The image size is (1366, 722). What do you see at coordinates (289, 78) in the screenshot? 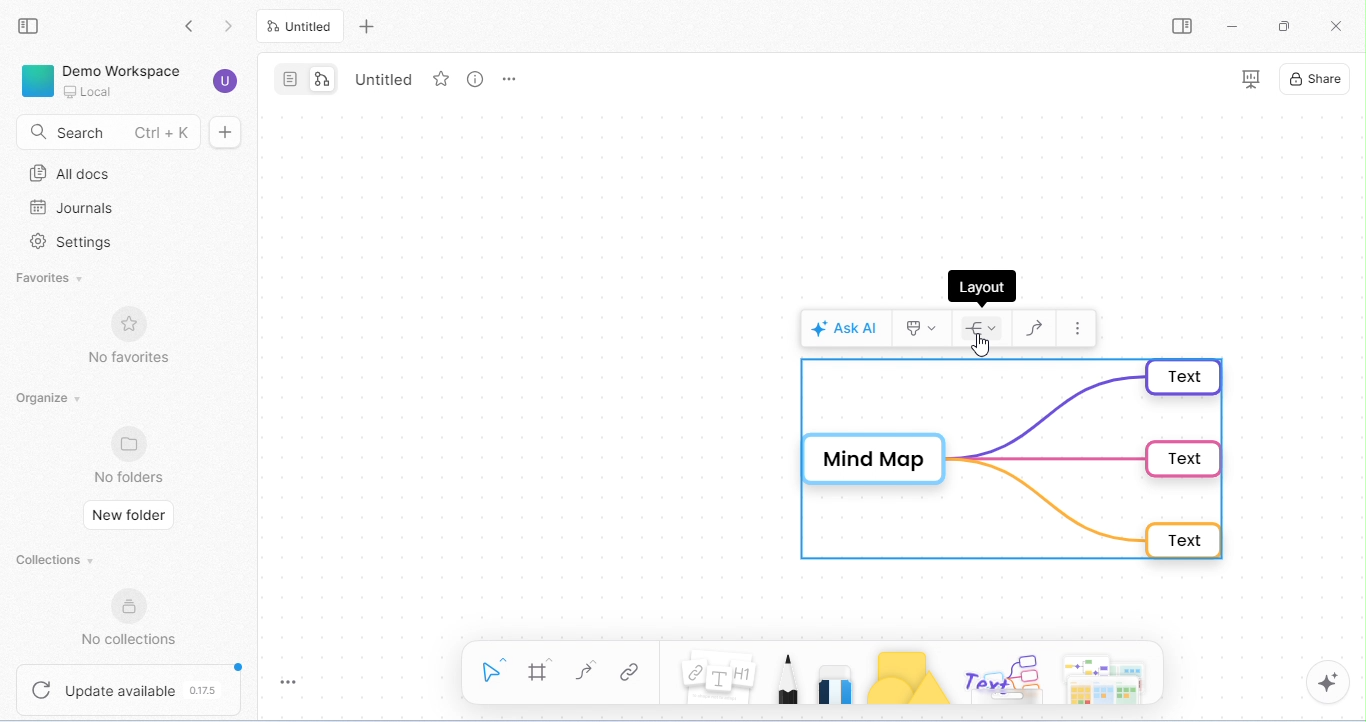
I see `page mode` at bounding box center [289, 78].